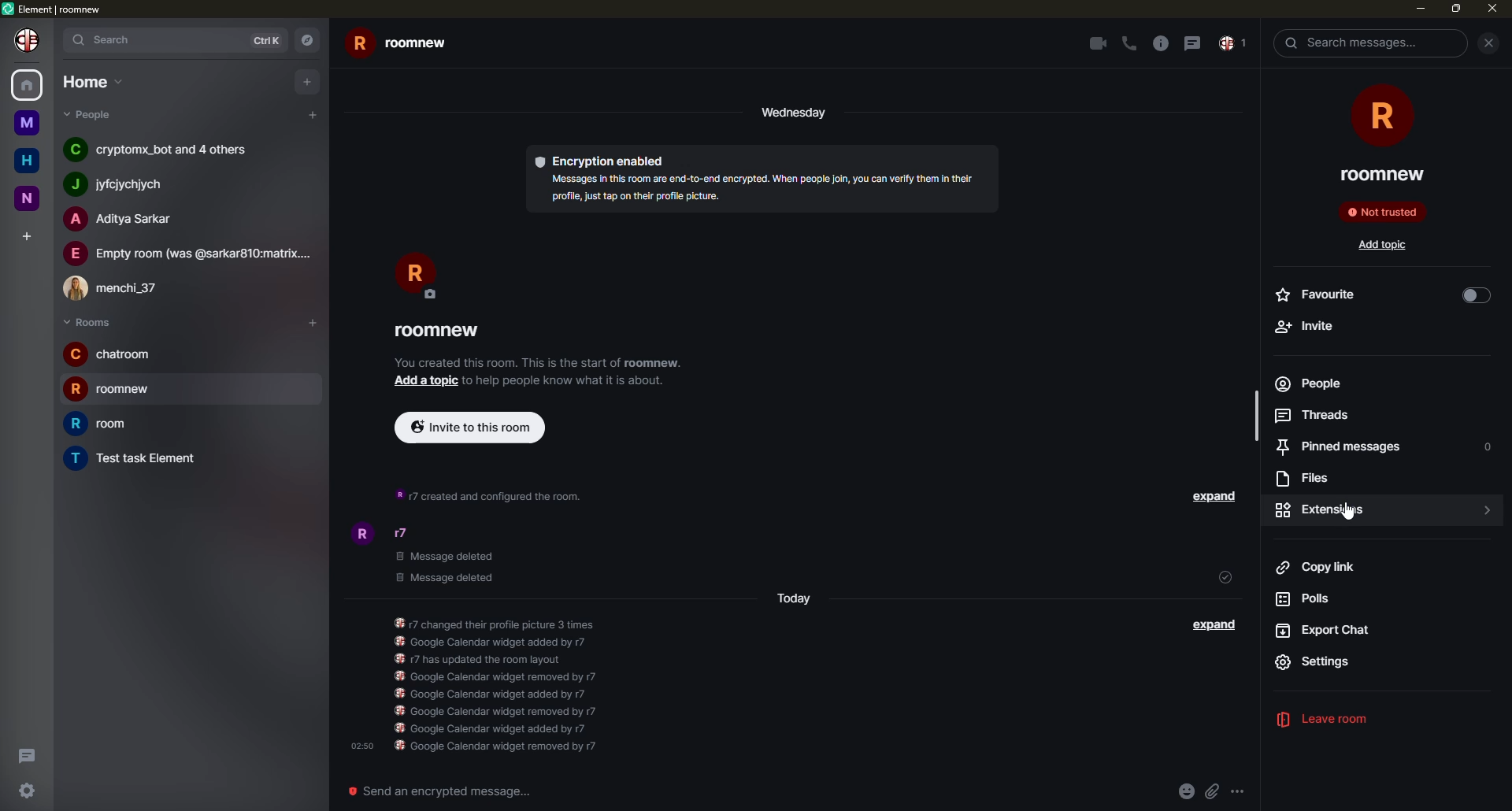 Image resolution: width=1512 pixels, height=811 pixels. What do you see at coordinates (567, 383) in the screenshot?
I see `info` at bounding box center [567, 383].